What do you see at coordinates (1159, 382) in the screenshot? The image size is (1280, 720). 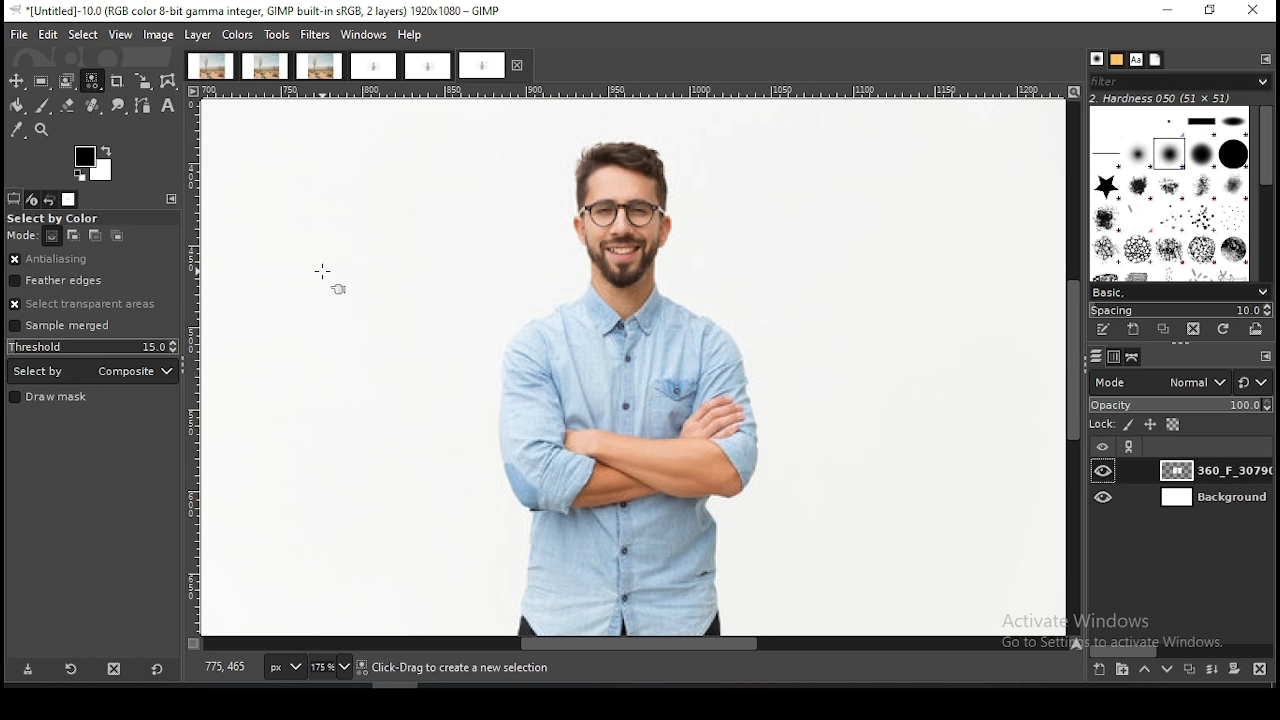 I see `blend mode` at bounding box center [1159, 382].